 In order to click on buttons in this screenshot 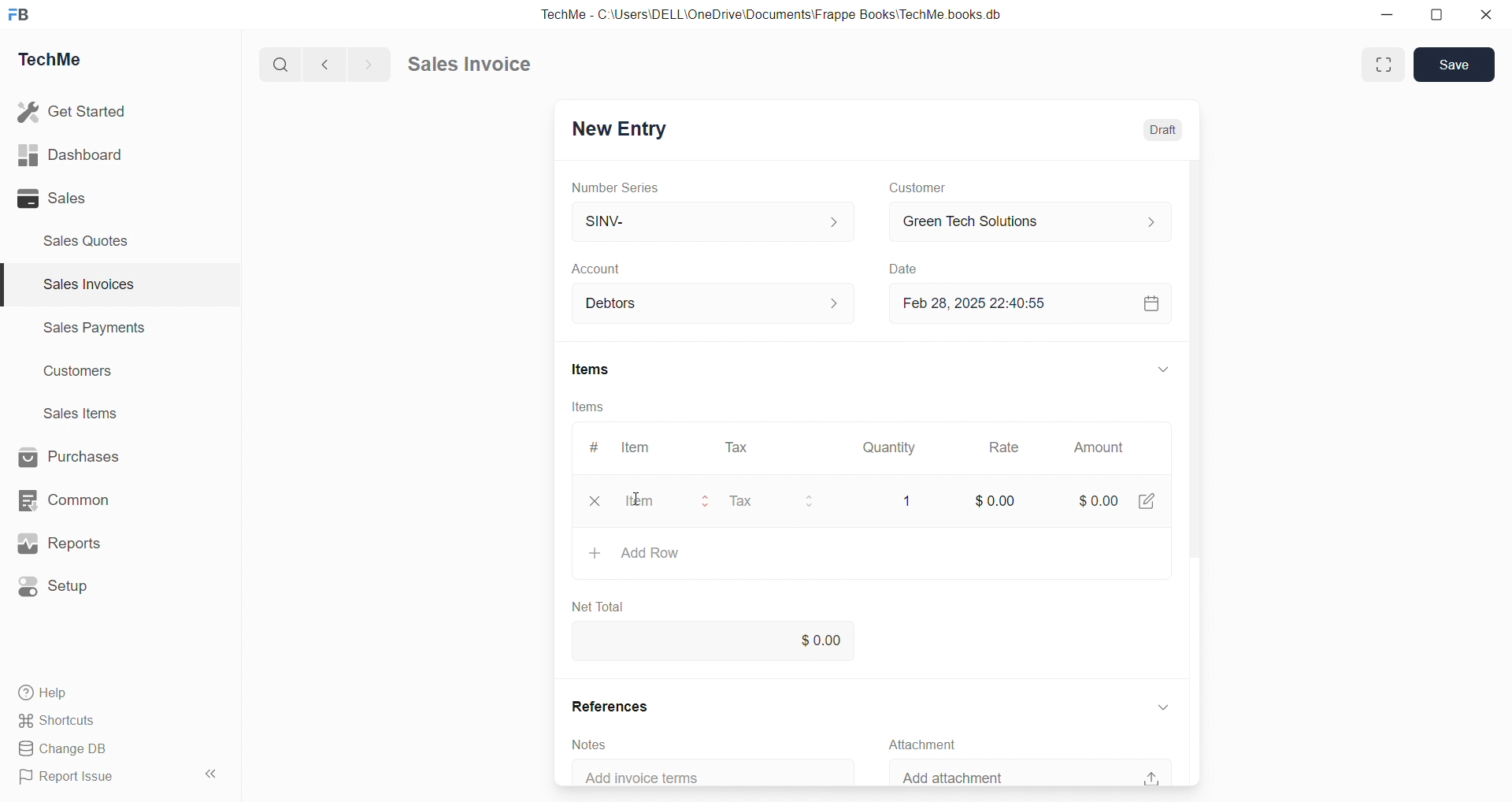, I will do `click(808, 502)`.